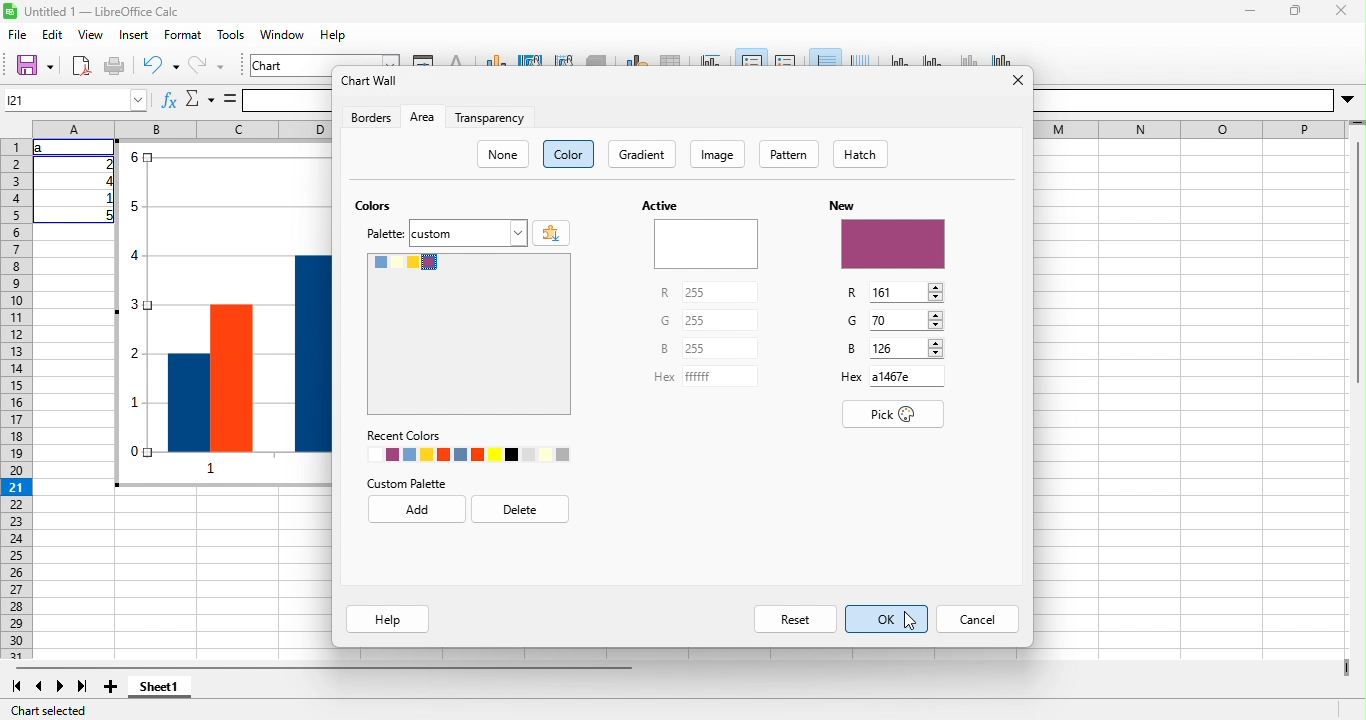 The width and height of the screenshot is (1366, 720). What do you see at coordinates (385, 234) in the screenshot?
I see `palette` at bounding box center [385, 234].